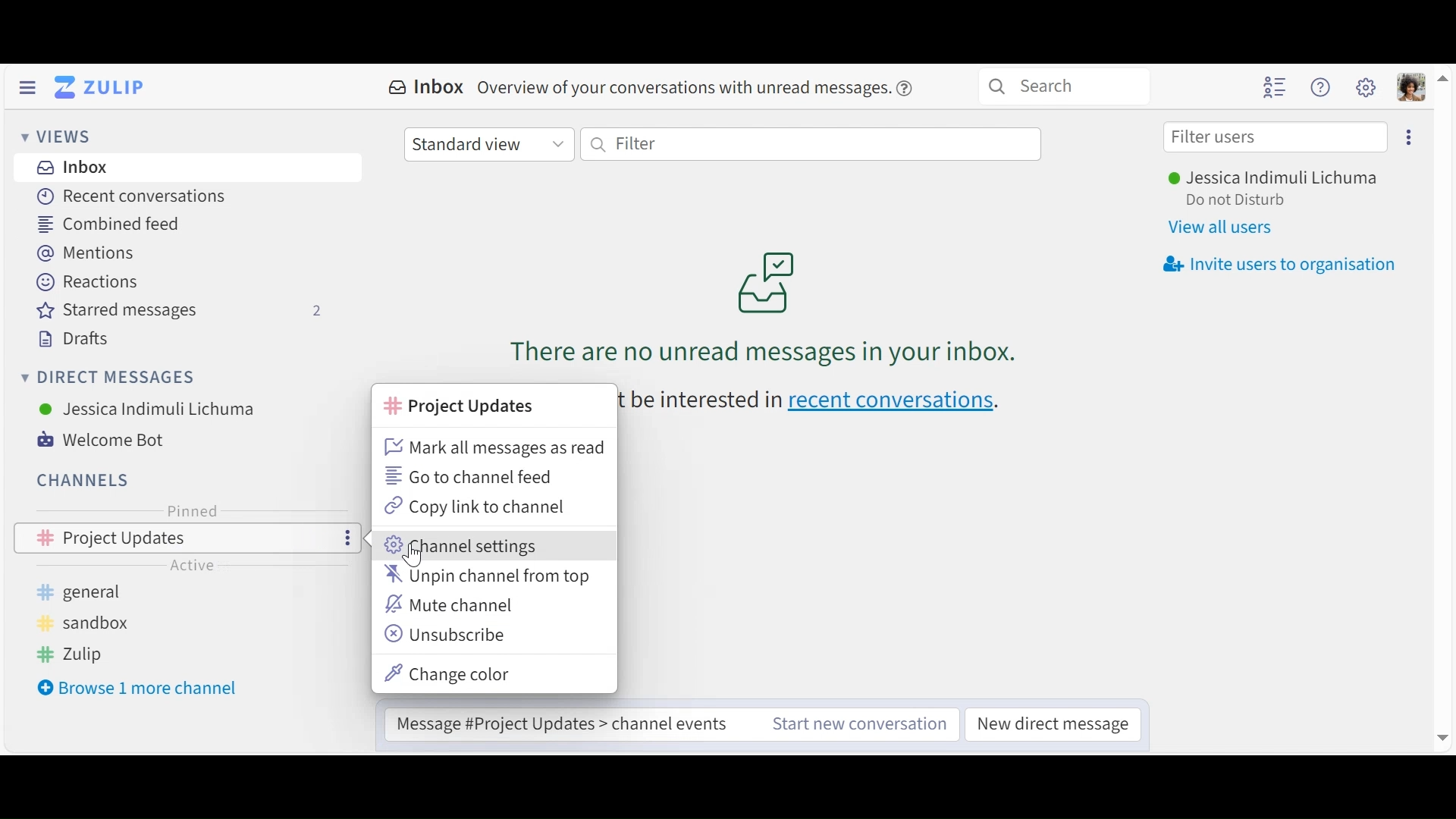 This screenshot has height=819, width=1456. I want to click on Mute channel, so click(453, 604).